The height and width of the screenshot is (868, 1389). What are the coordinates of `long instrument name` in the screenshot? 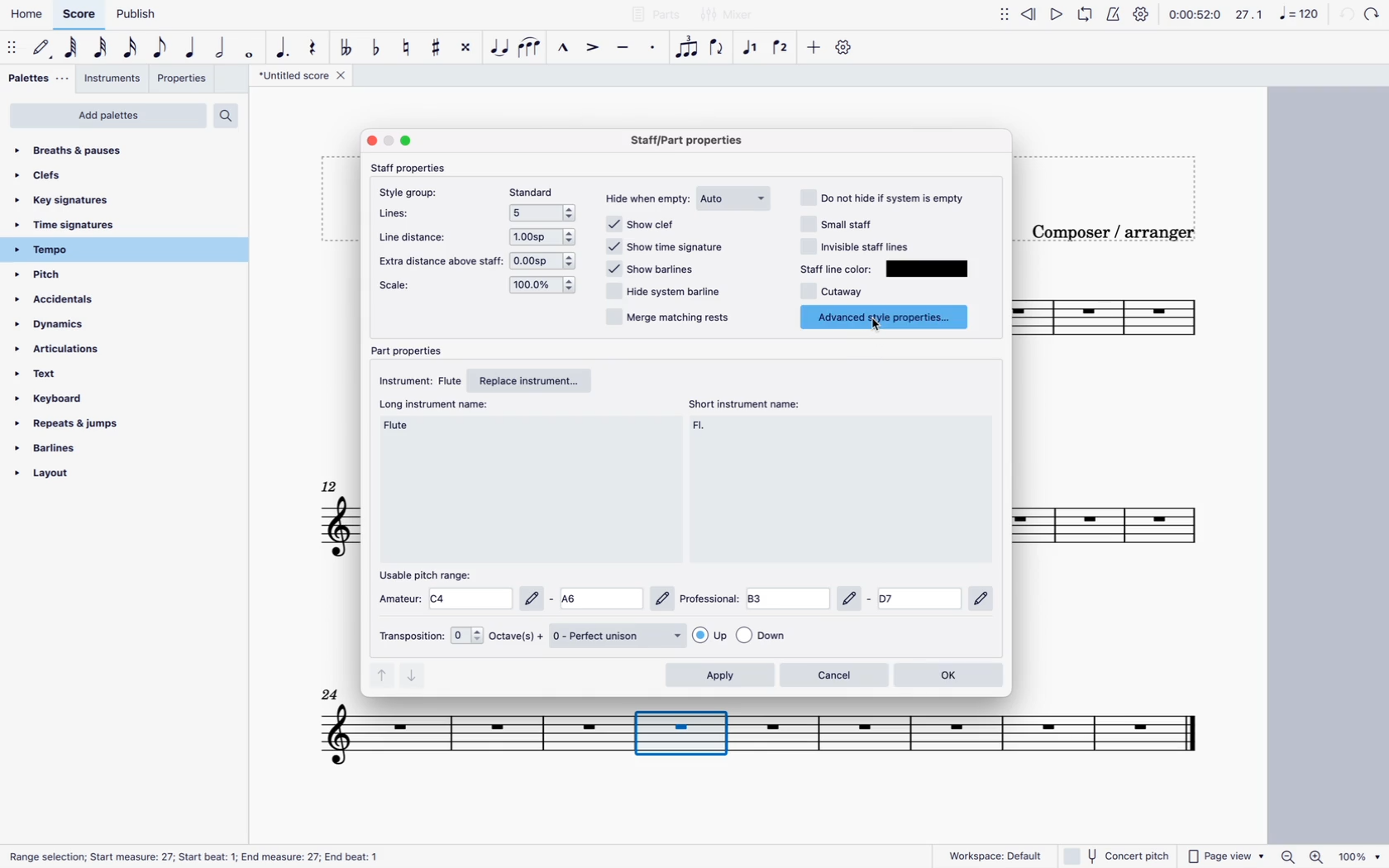 It's located at (401, 430).